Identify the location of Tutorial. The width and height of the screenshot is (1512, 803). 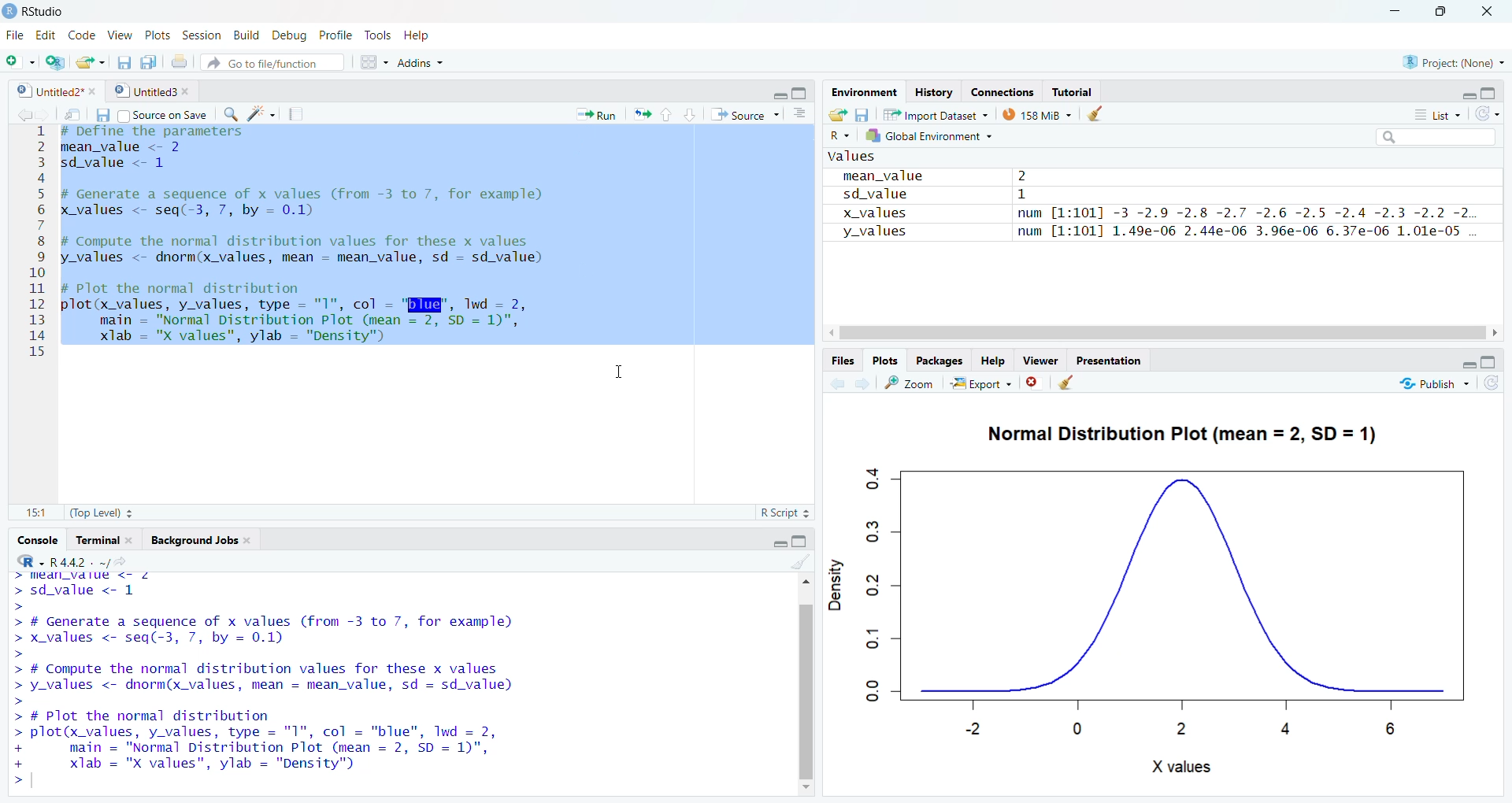
(1074, 91).